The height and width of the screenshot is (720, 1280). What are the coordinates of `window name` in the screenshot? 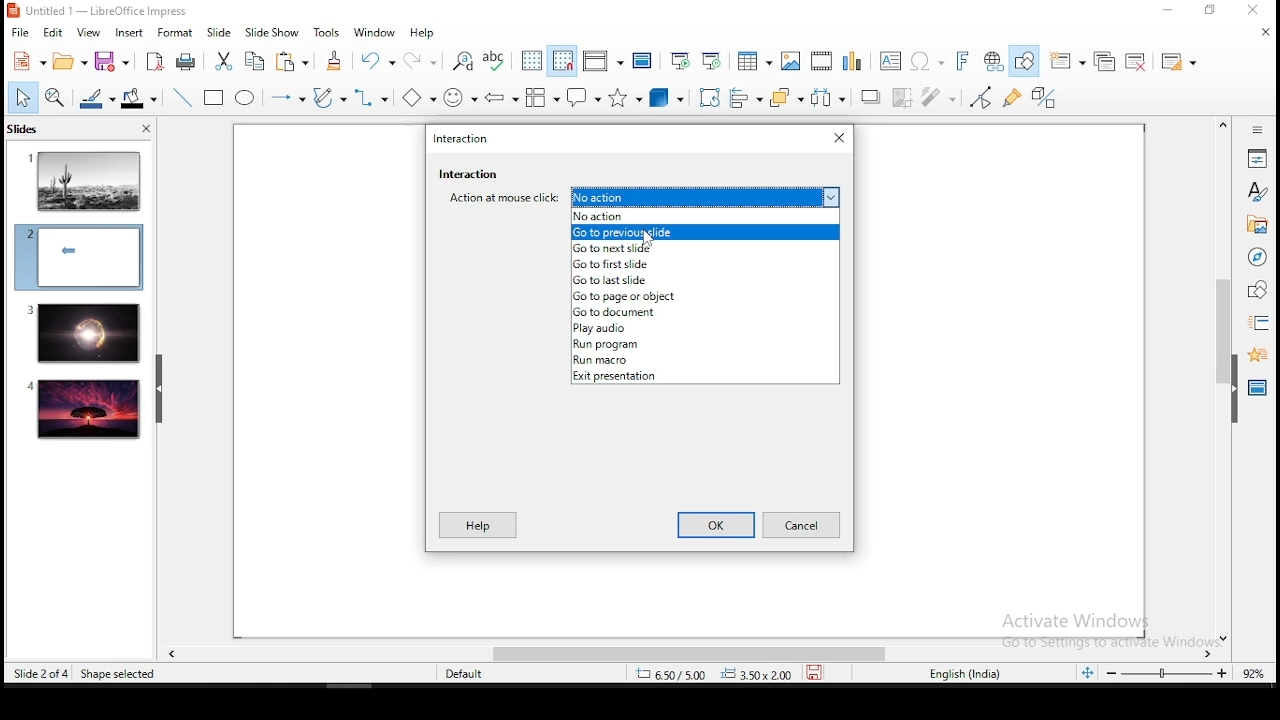 It's located at (100, 10).